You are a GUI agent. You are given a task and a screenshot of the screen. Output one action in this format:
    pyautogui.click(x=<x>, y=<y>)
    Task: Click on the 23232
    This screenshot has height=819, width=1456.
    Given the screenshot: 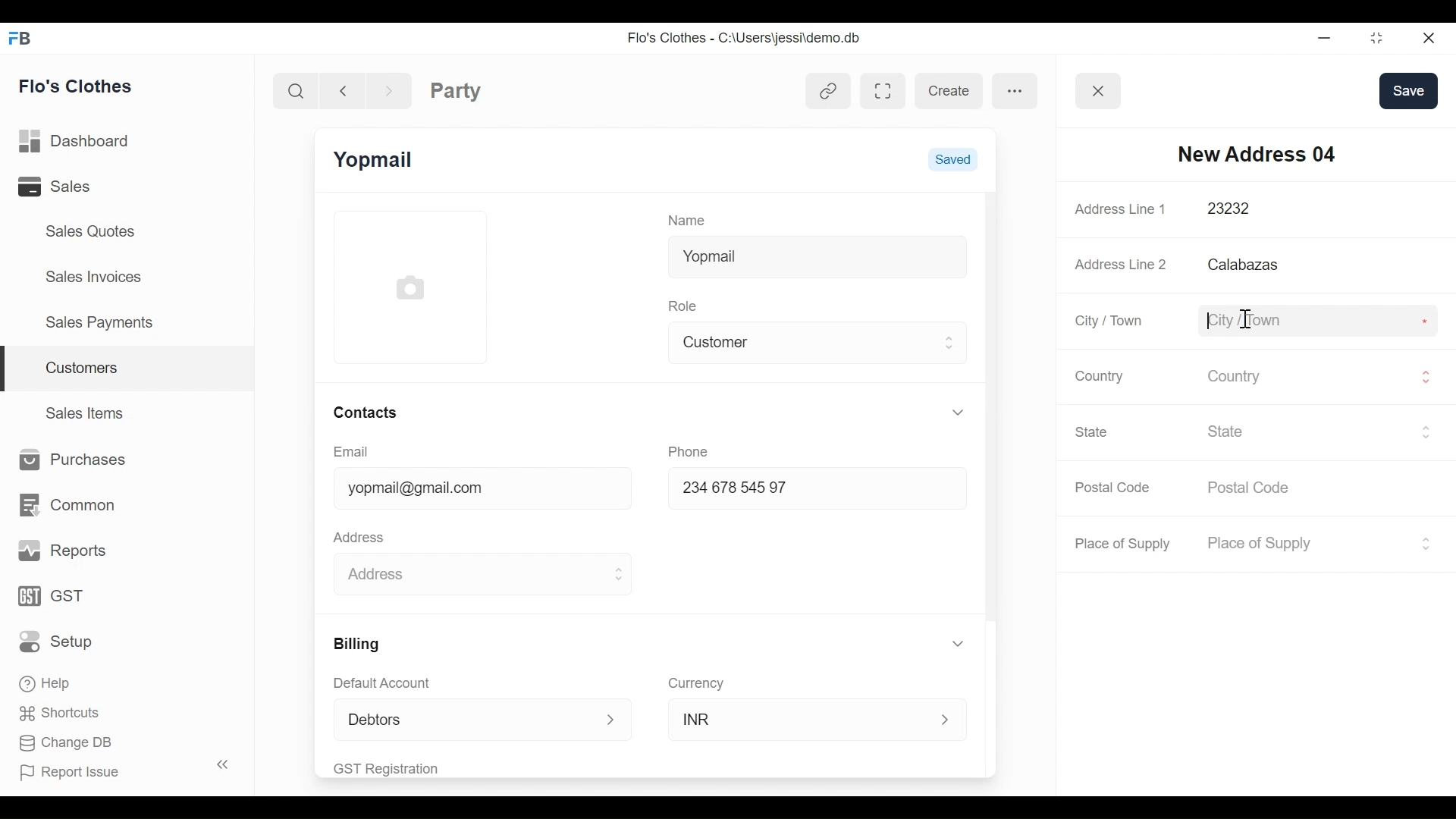 What is the action you would take?
    pyautogui.click(x=1302, y=209)
    